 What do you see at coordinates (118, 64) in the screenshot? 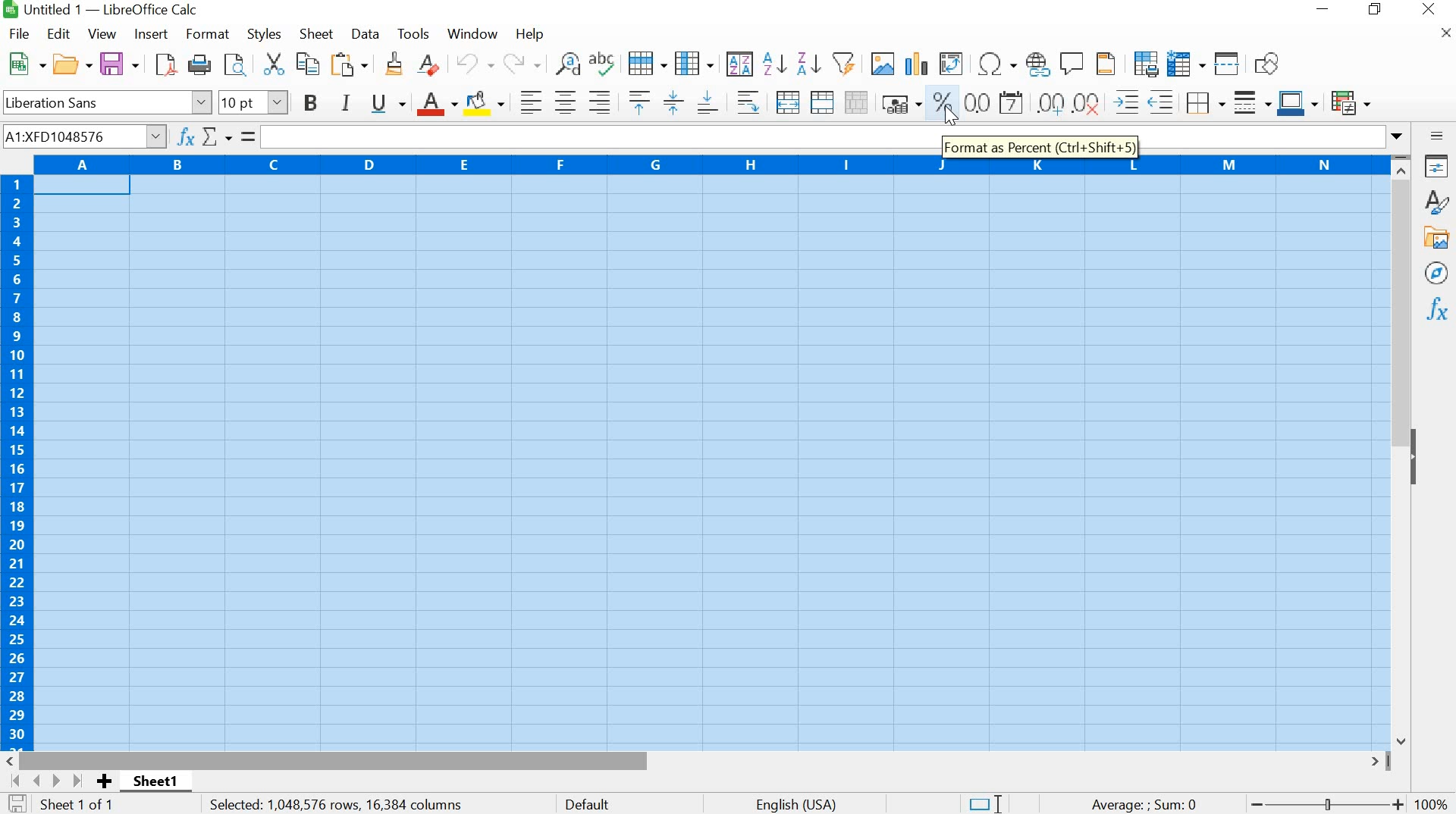
I see `SAVE` at bounding box center [118, 64].